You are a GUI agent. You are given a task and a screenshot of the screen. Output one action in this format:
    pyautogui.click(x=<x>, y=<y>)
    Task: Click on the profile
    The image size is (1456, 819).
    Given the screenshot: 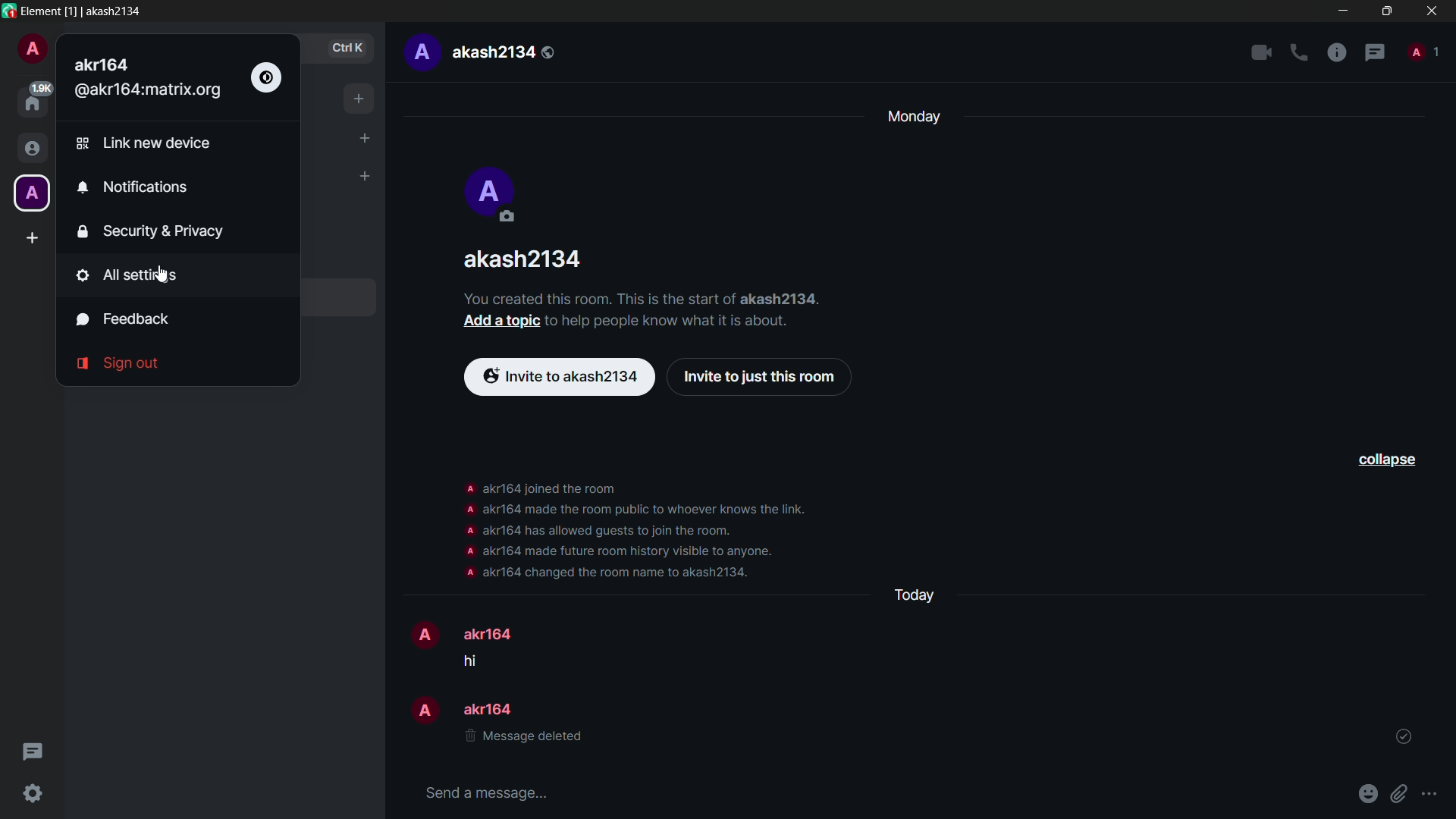 What is the action you would take?
    pyautogui.click(x=468, y=488)
    